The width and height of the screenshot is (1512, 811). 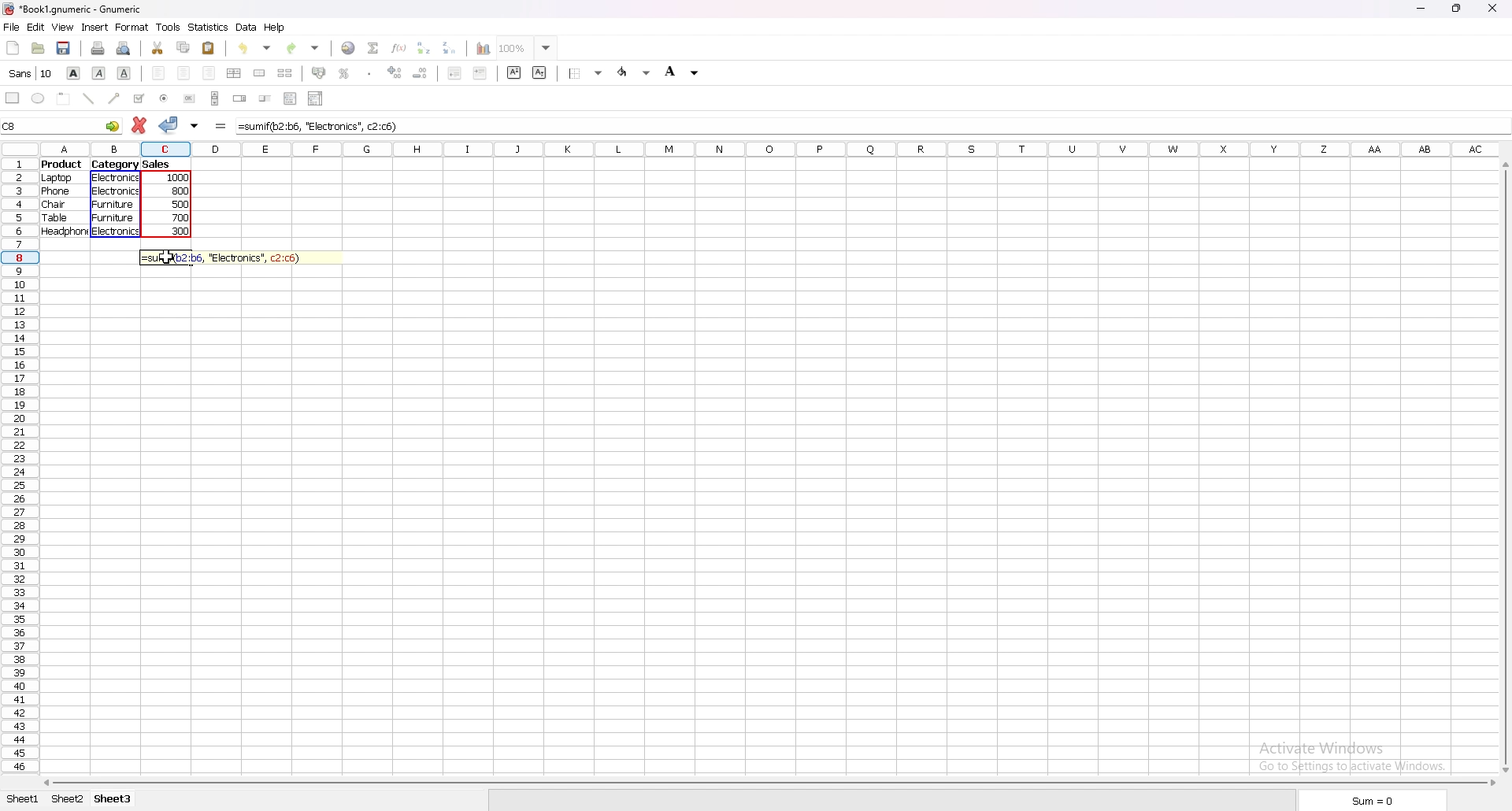 What do you see at coordinates (38, 98) in the screenshot?
I see `ellipse` at bounding box center [38, 98].